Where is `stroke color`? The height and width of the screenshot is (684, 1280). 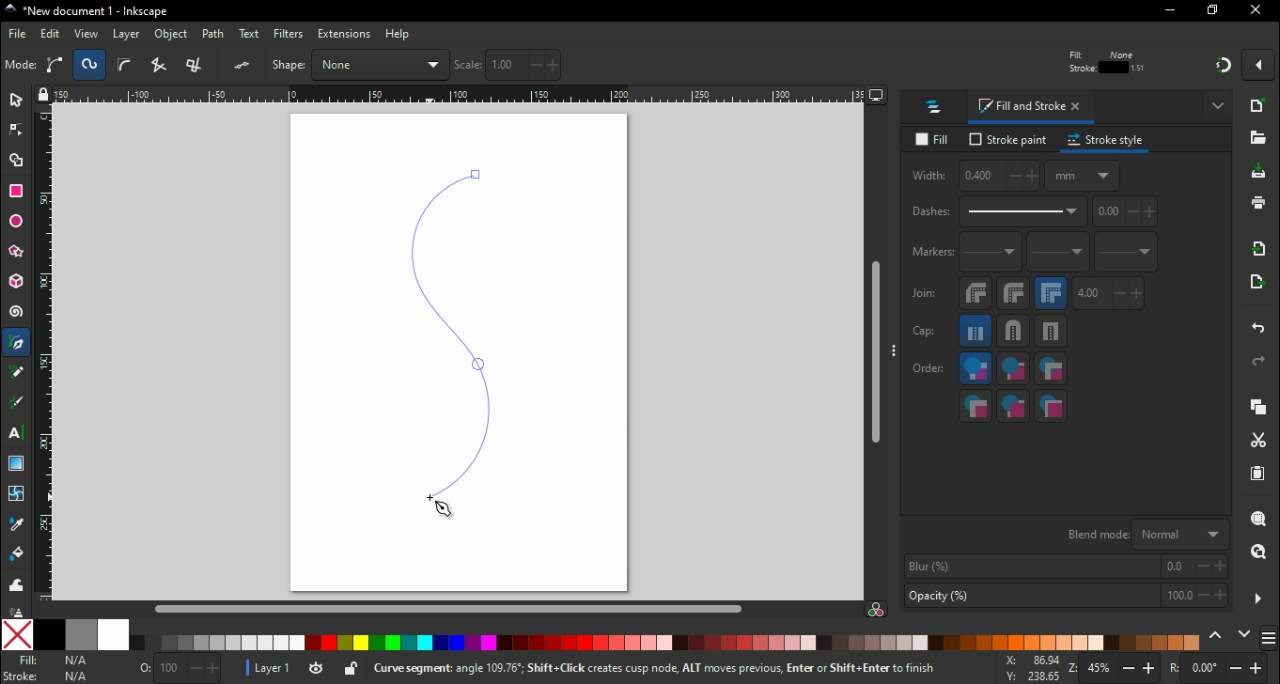 stroke color is located at coordinates (48, 676).